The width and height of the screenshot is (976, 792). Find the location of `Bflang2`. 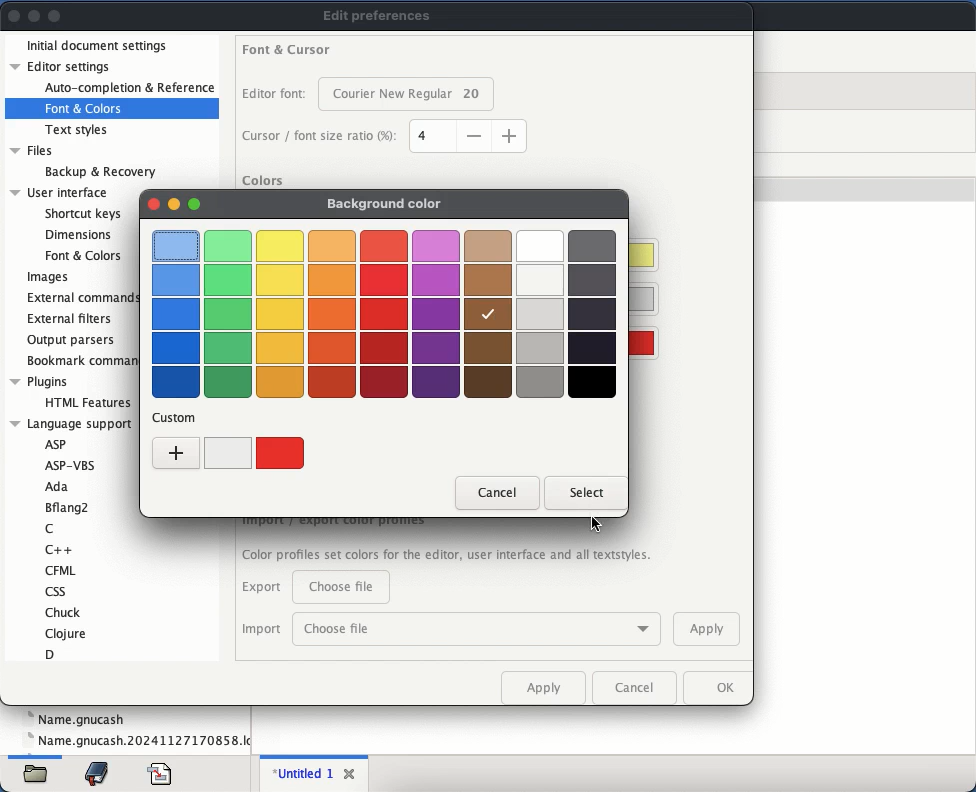

Bflang2 is located at coordinates (68, 506).